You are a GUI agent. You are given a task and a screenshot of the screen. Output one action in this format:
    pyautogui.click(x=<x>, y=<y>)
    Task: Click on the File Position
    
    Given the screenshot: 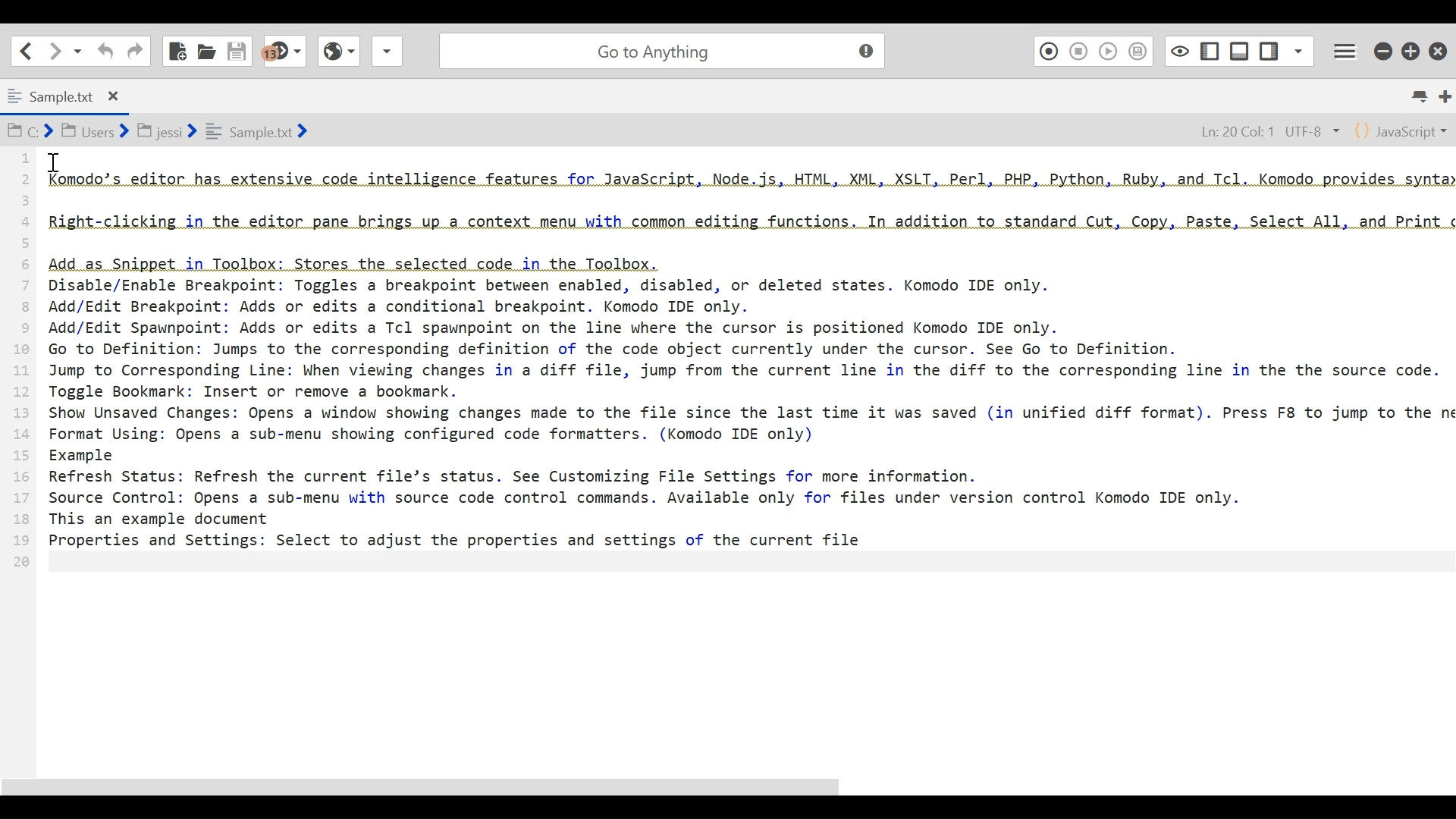 What is the action you would take?
    pyautogui.click(x=1263, y=129)
    